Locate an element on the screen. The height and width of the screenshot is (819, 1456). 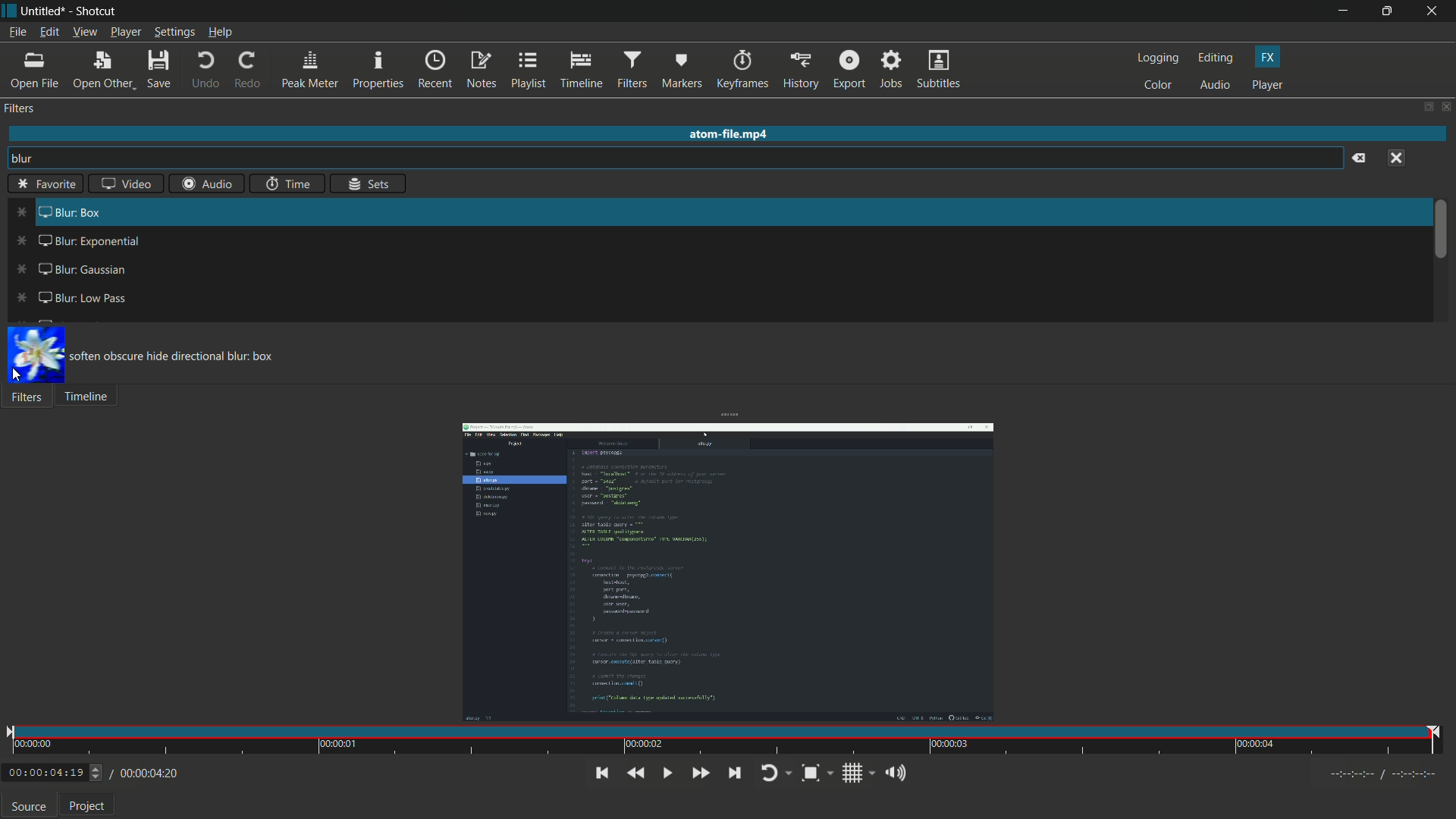
 is located at coordinates (48, 183).